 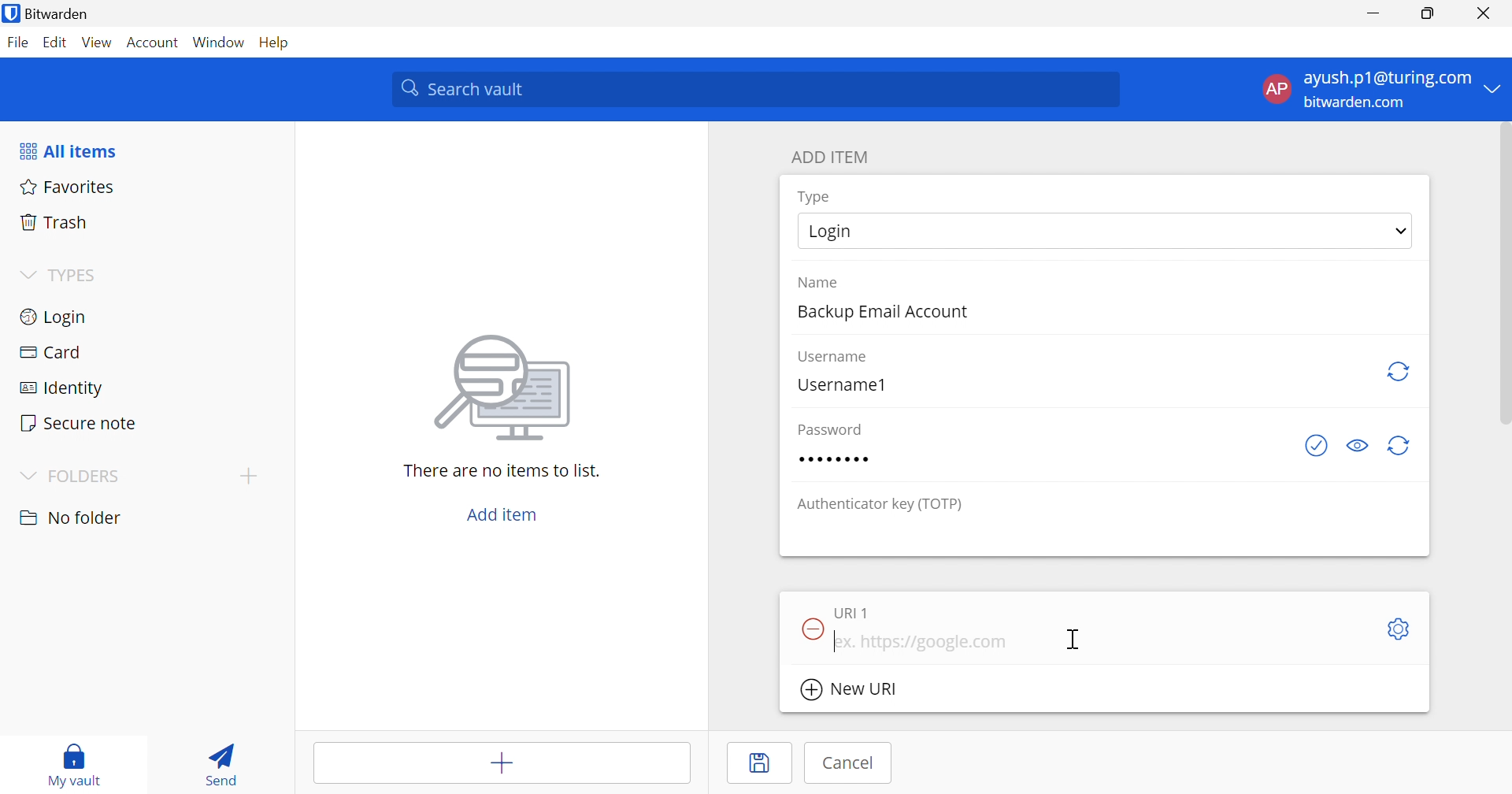 What do you see at coordinates (500, 760) in the screenshot?
I see `Add item` at bounding box center [500, 760].